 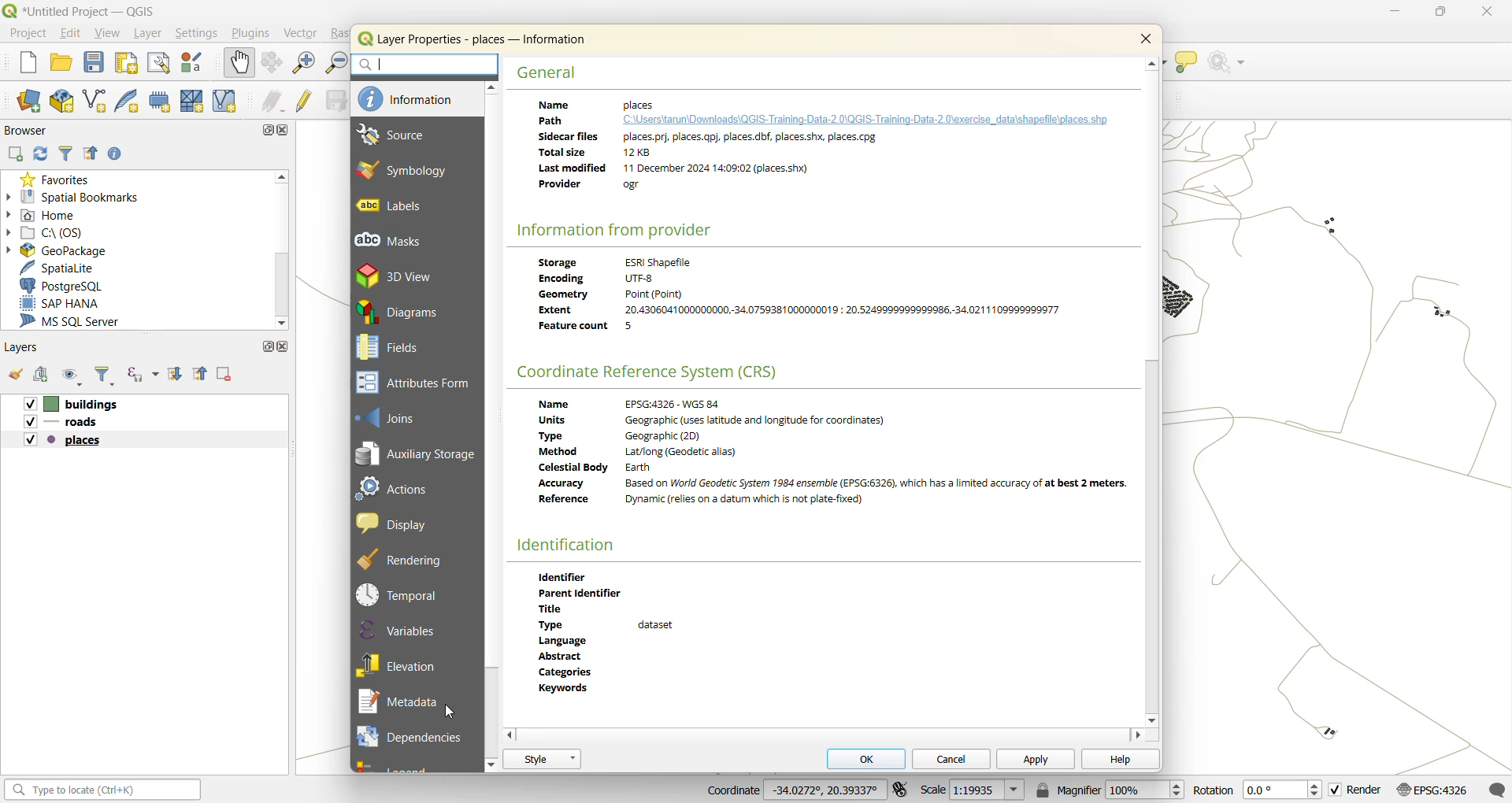 I want to click on save, so click(x=95, y=65).